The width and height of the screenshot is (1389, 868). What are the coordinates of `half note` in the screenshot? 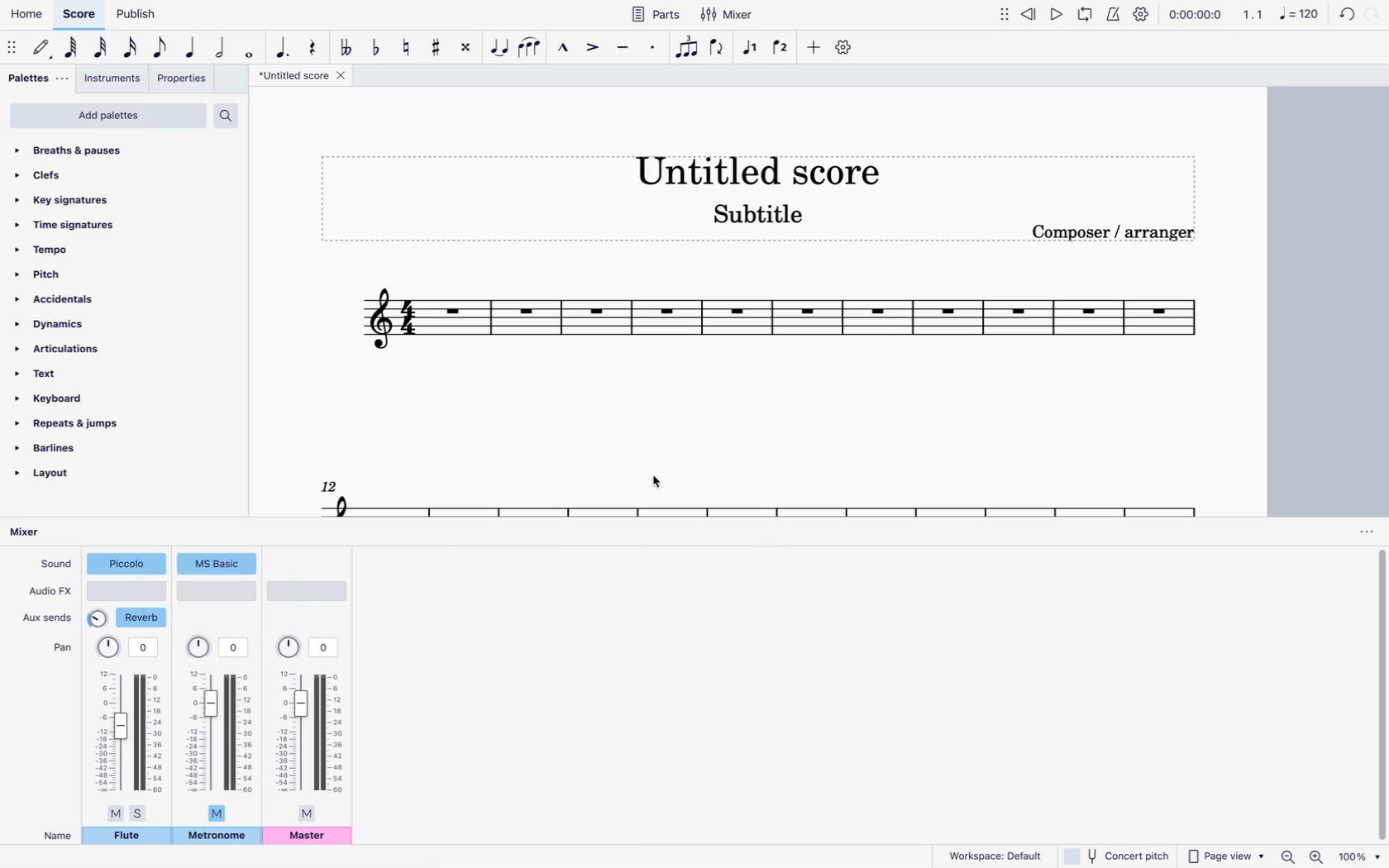 It's located at (222, 49).